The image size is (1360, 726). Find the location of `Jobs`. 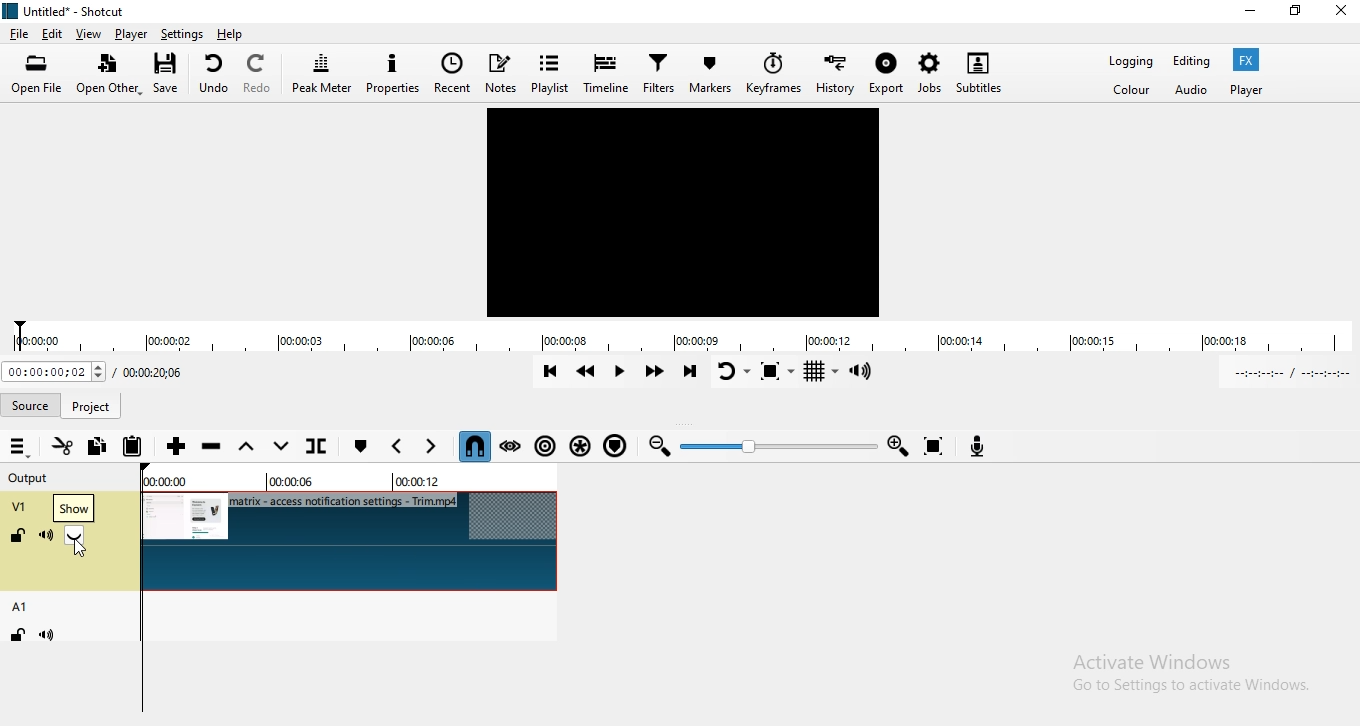

Jobs is located at coordinates (929, 75).